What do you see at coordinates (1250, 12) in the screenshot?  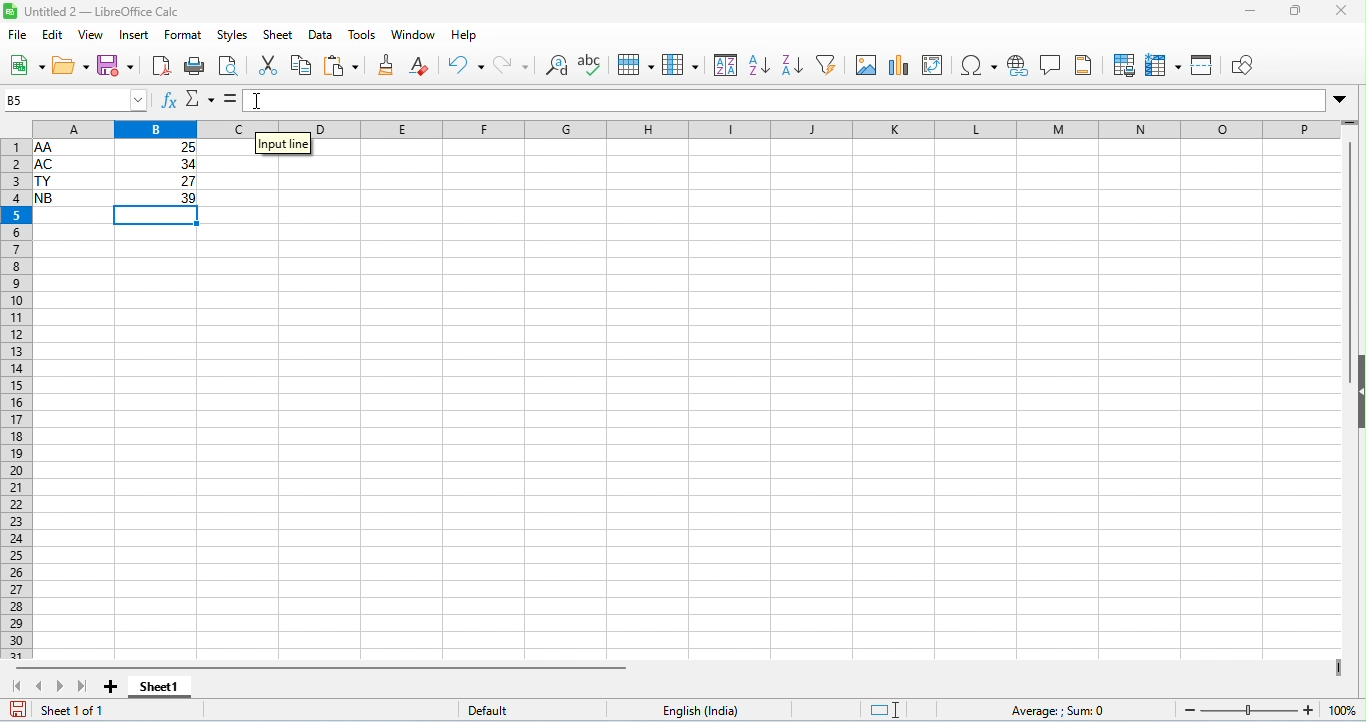 I see `minimize` at bounding box center [1250, 12].